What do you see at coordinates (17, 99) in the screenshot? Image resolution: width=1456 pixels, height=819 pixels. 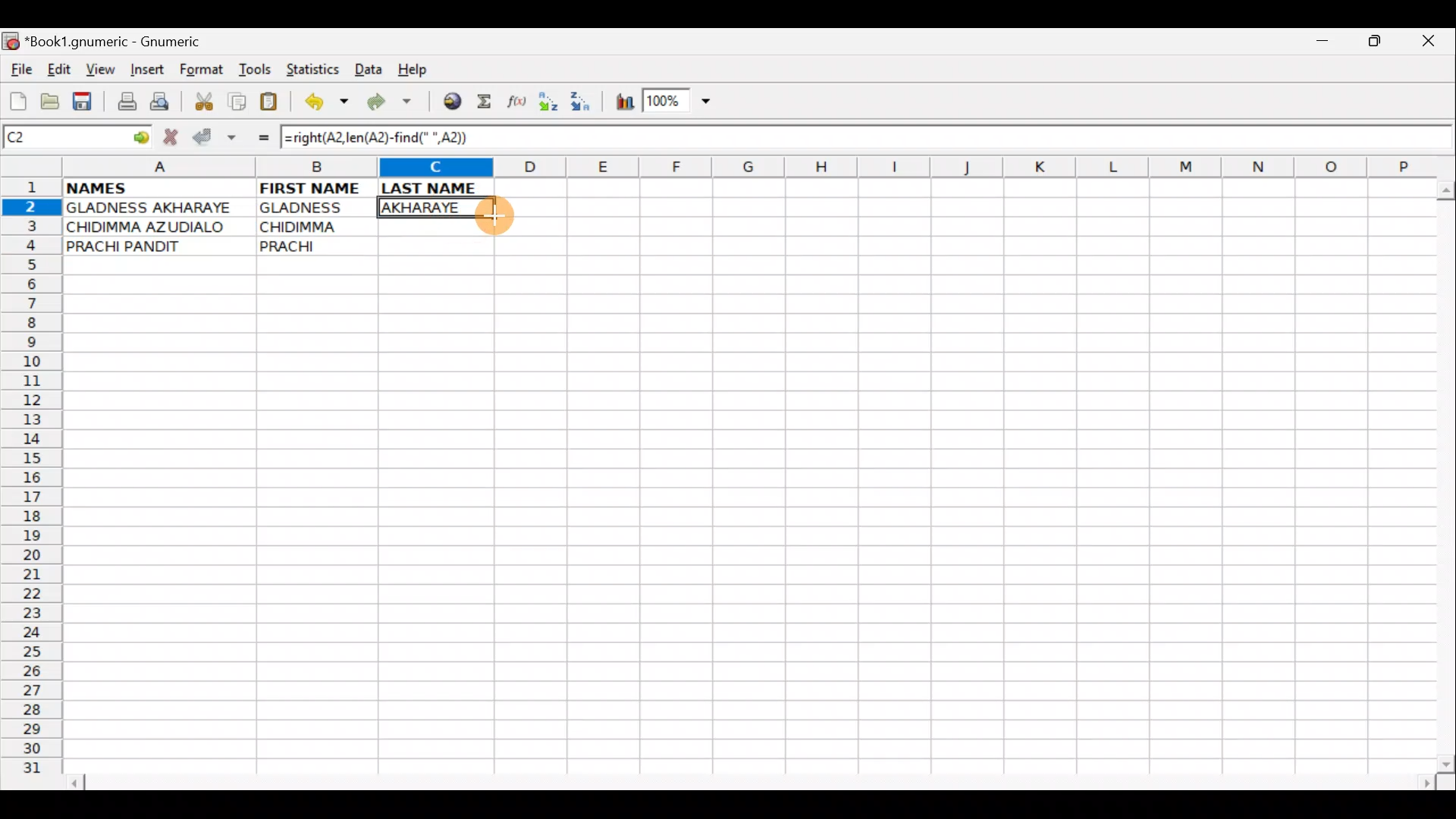 I see `Create new workbook` at bounding box center [17, 99].